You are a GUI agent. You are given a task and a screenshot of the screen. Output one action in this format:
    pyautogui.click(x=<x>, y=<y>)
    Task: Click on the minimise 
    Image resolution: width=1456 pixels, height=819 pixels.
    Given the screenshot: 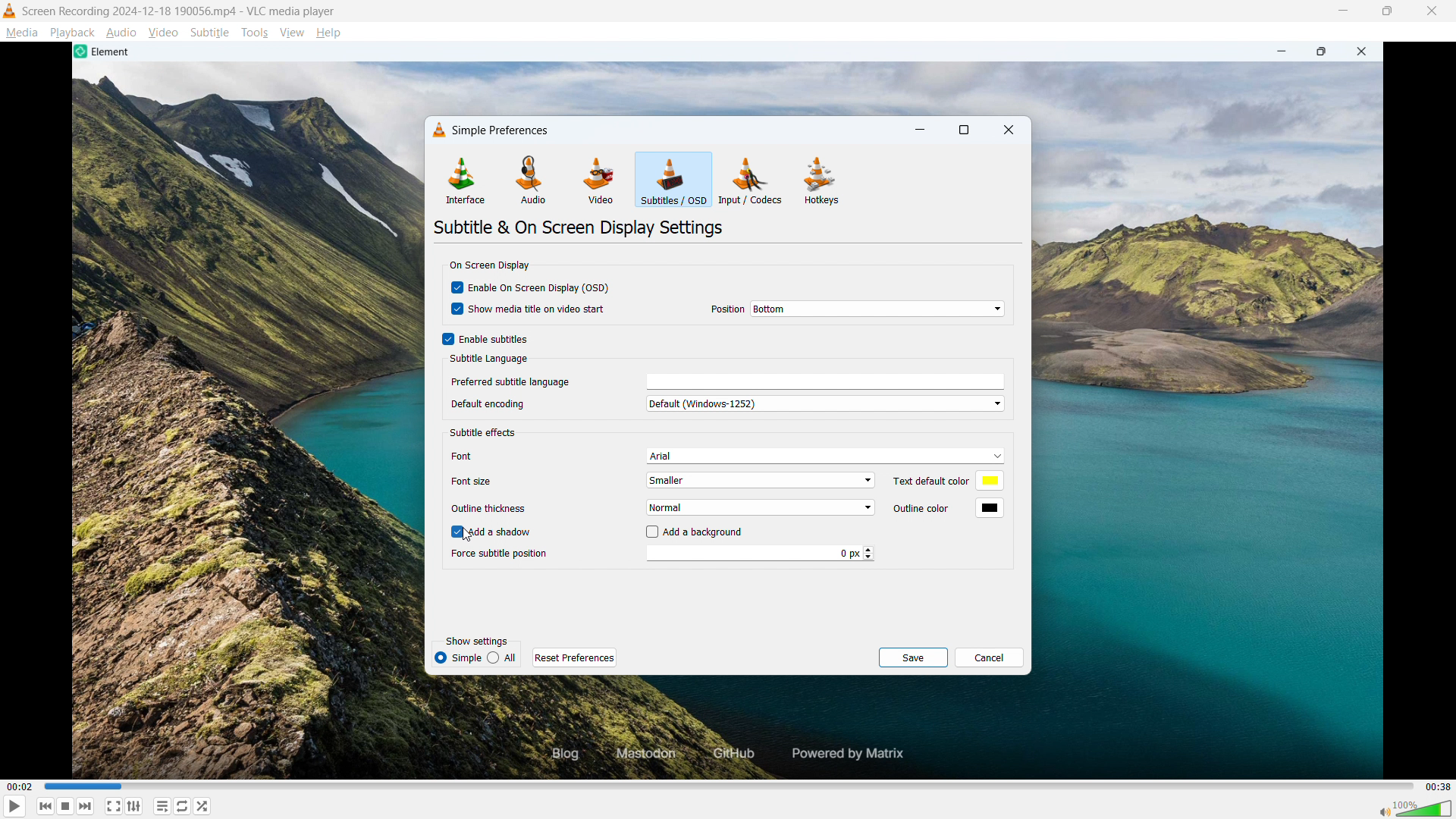 What is the action you would take?
    pyautogui.click(x=1344, y=11)
    